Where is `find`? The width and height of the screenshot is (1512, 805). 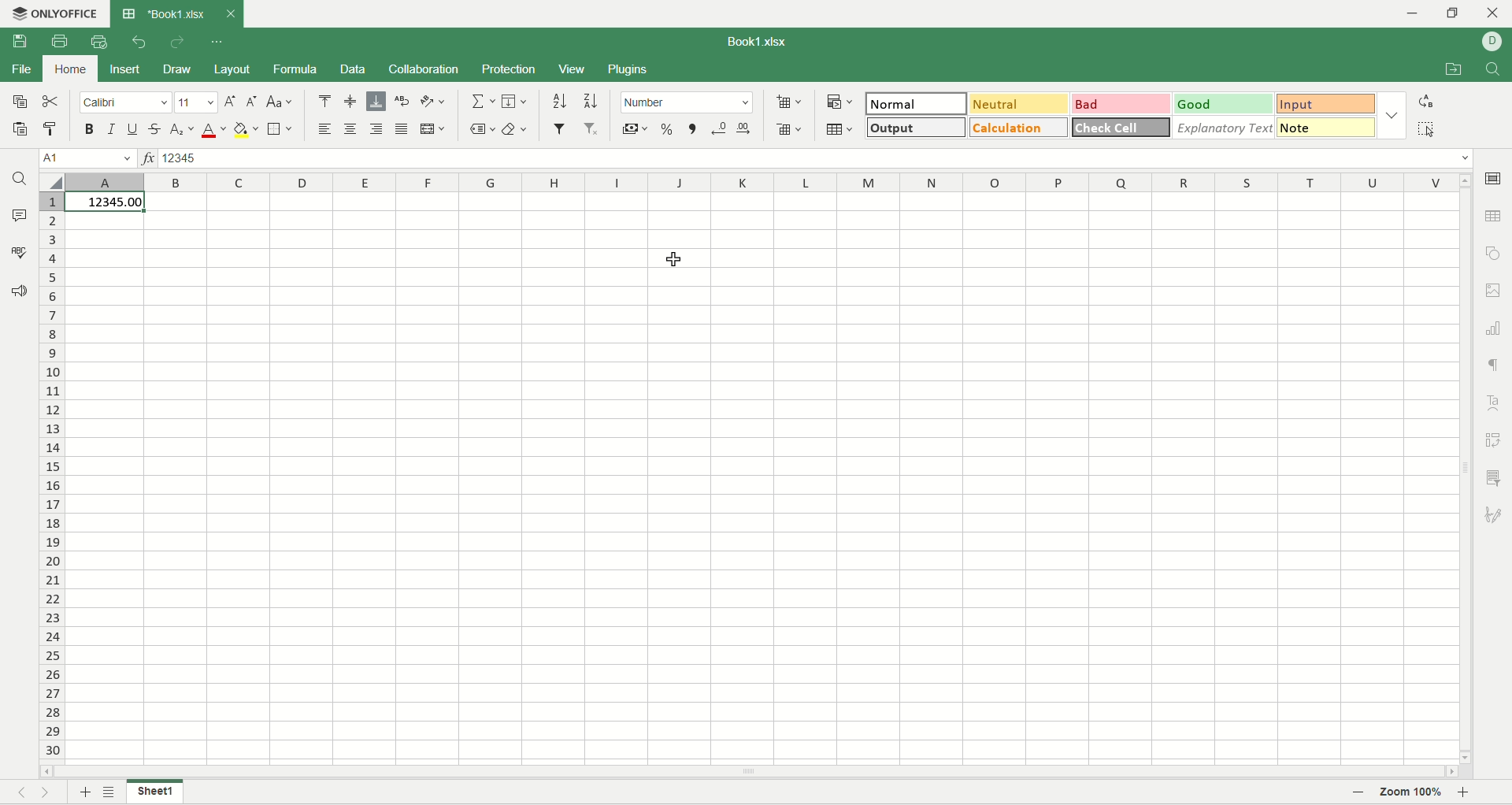
find is located at coordinates (1494, 70).